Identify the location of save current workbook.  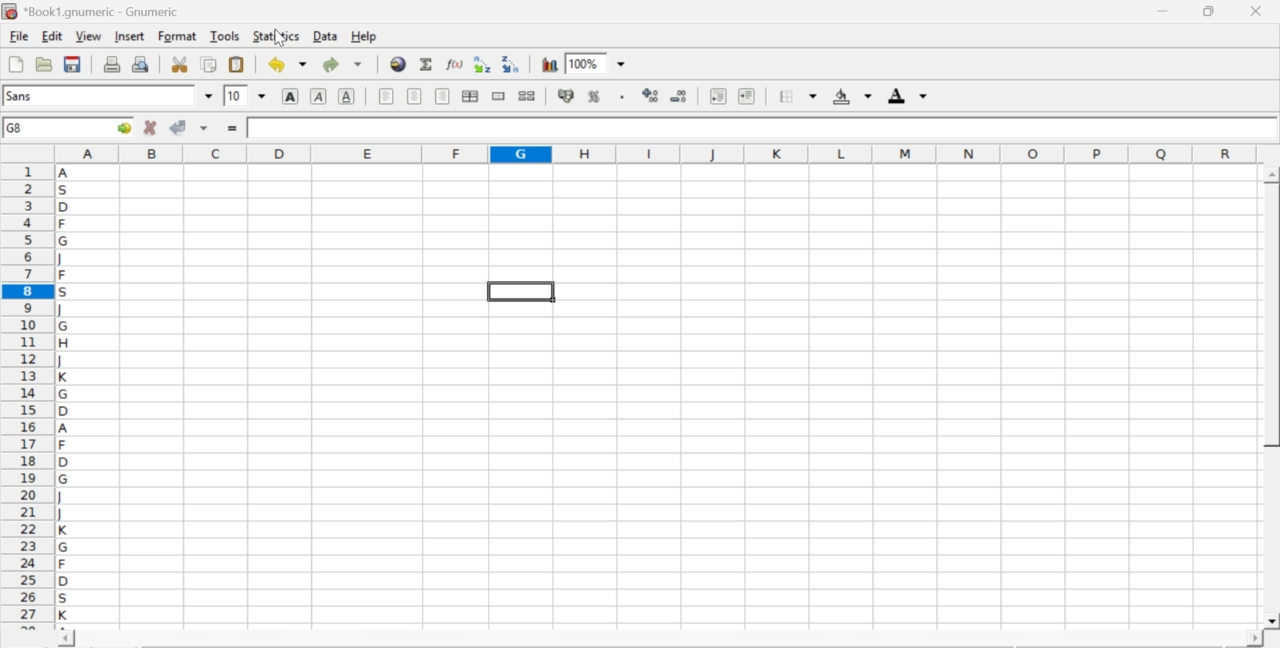
(73, 64).